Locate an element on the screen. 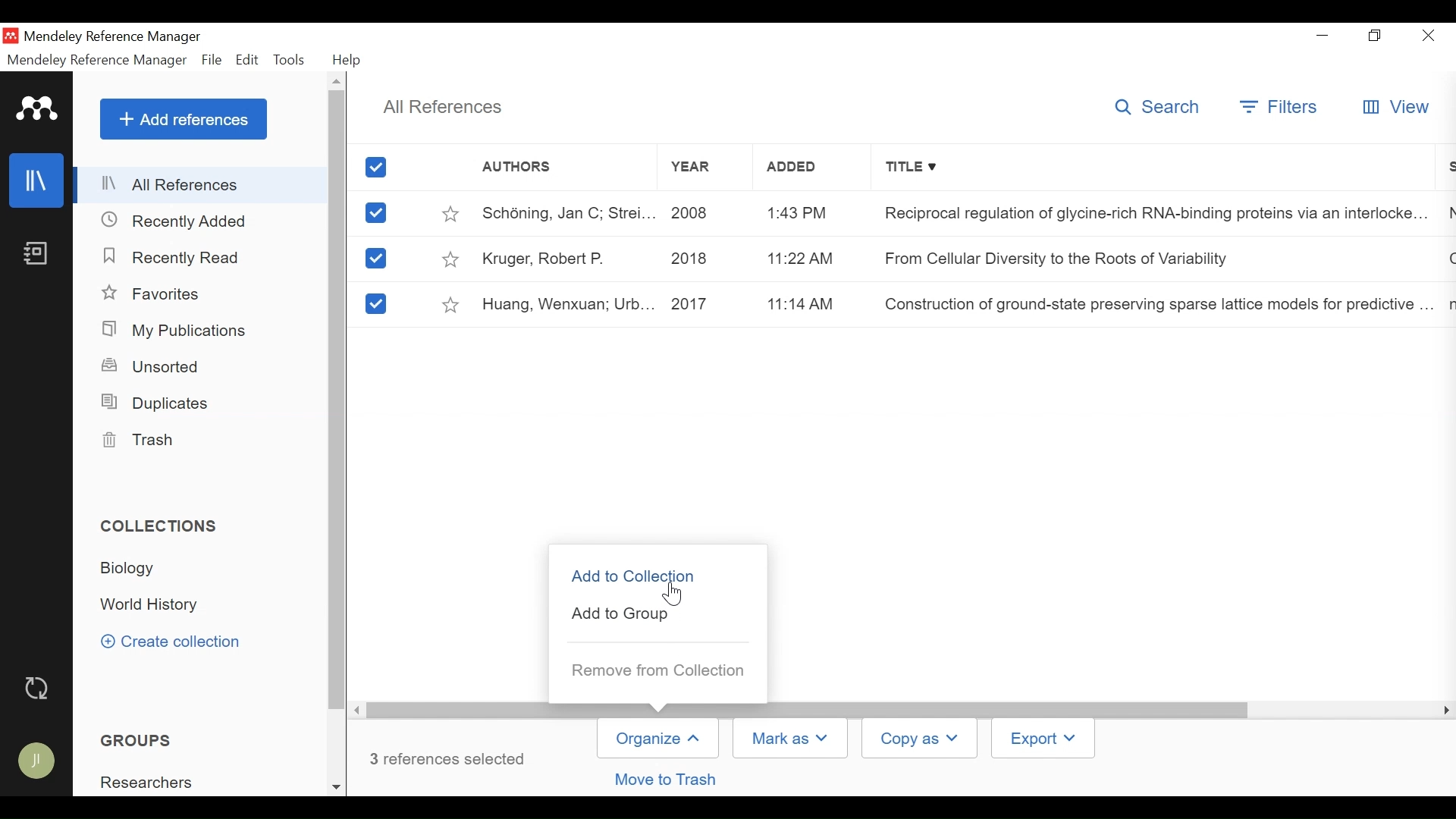  Journal Title is located at coordinates (1149, 259).